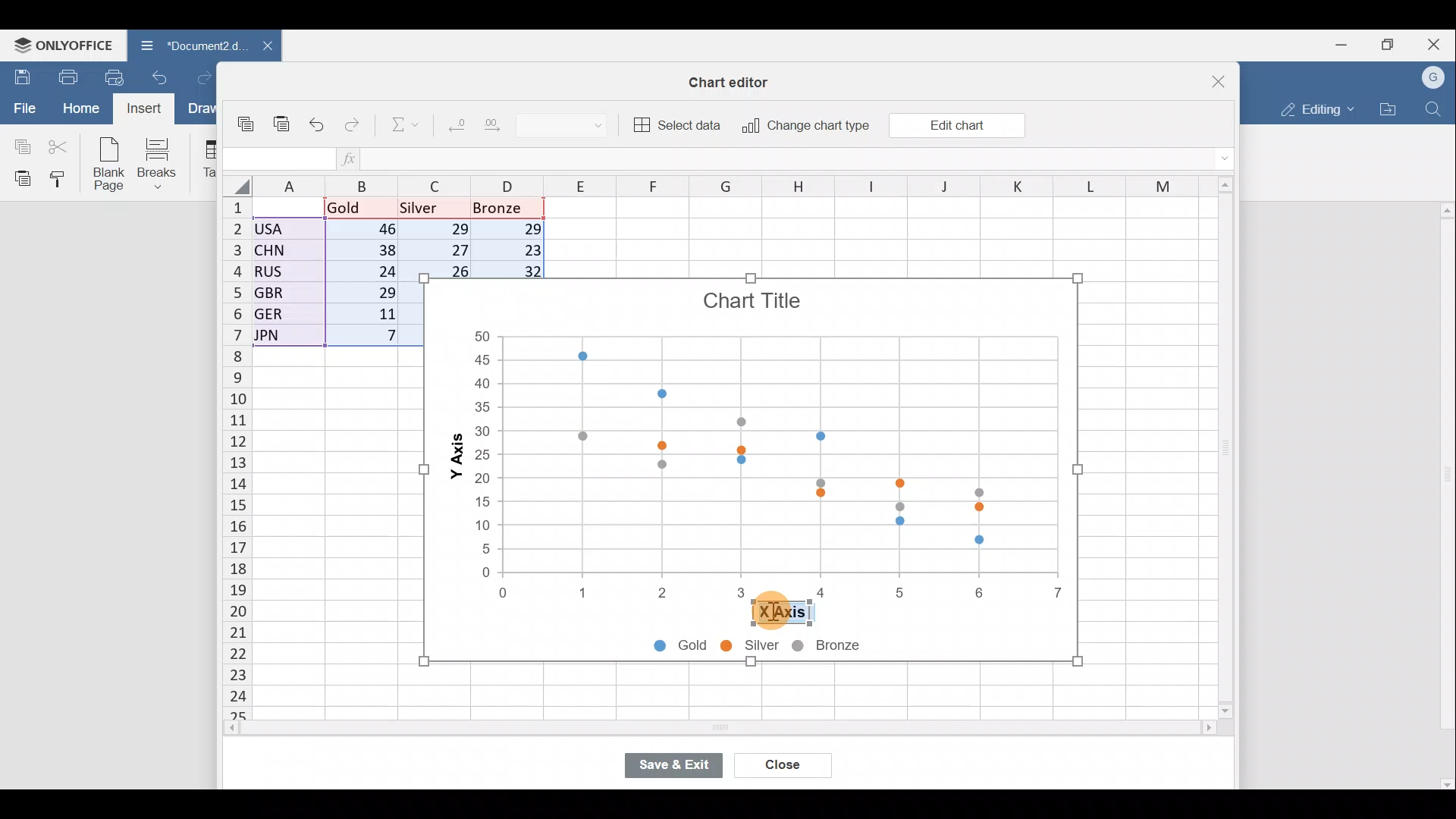  What do you see at coordinates (1220, 449) in the screenshot?
I see `Scroll bar` at bounding box center [1220, 449].